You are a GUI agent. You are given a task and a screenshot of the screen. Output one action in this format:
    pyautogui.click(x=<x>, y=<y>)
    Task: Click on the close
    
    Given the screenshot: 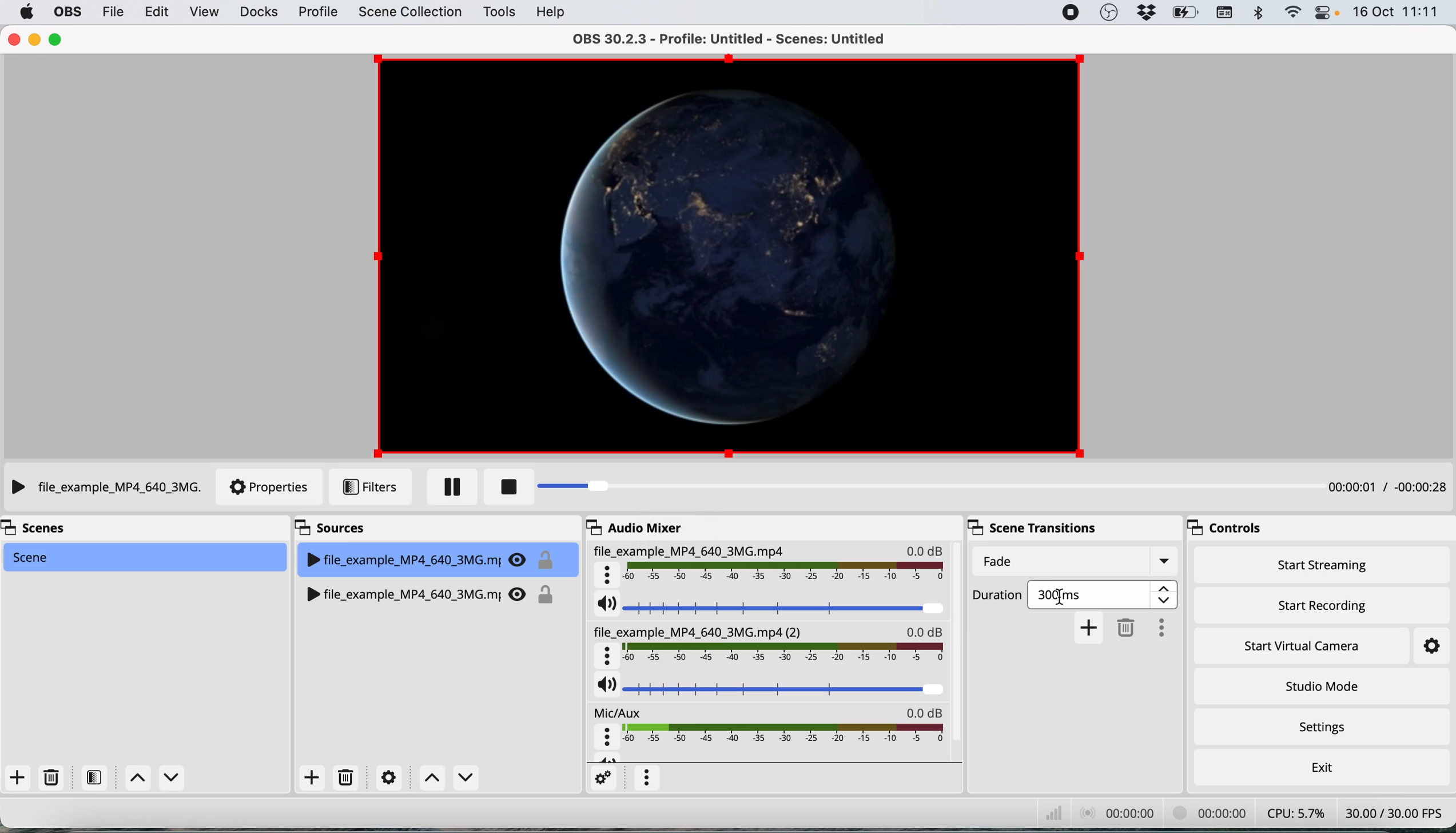 What is the action you would take?
    pyautogui.click(x=13, y=38)
    